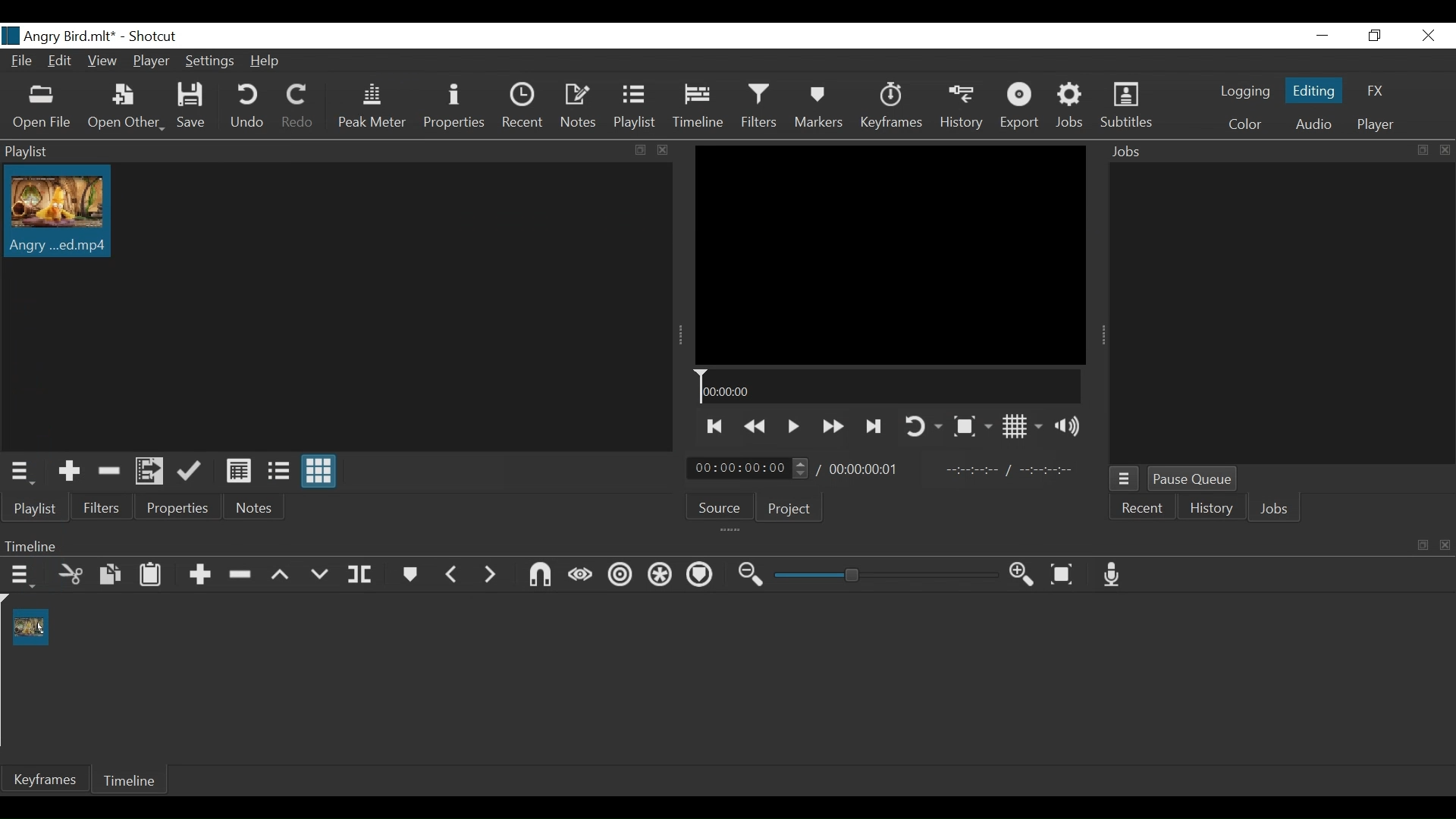 The height and width of the screenshot is (819, 1456). I want to click on Ripple, so click(620, 575).